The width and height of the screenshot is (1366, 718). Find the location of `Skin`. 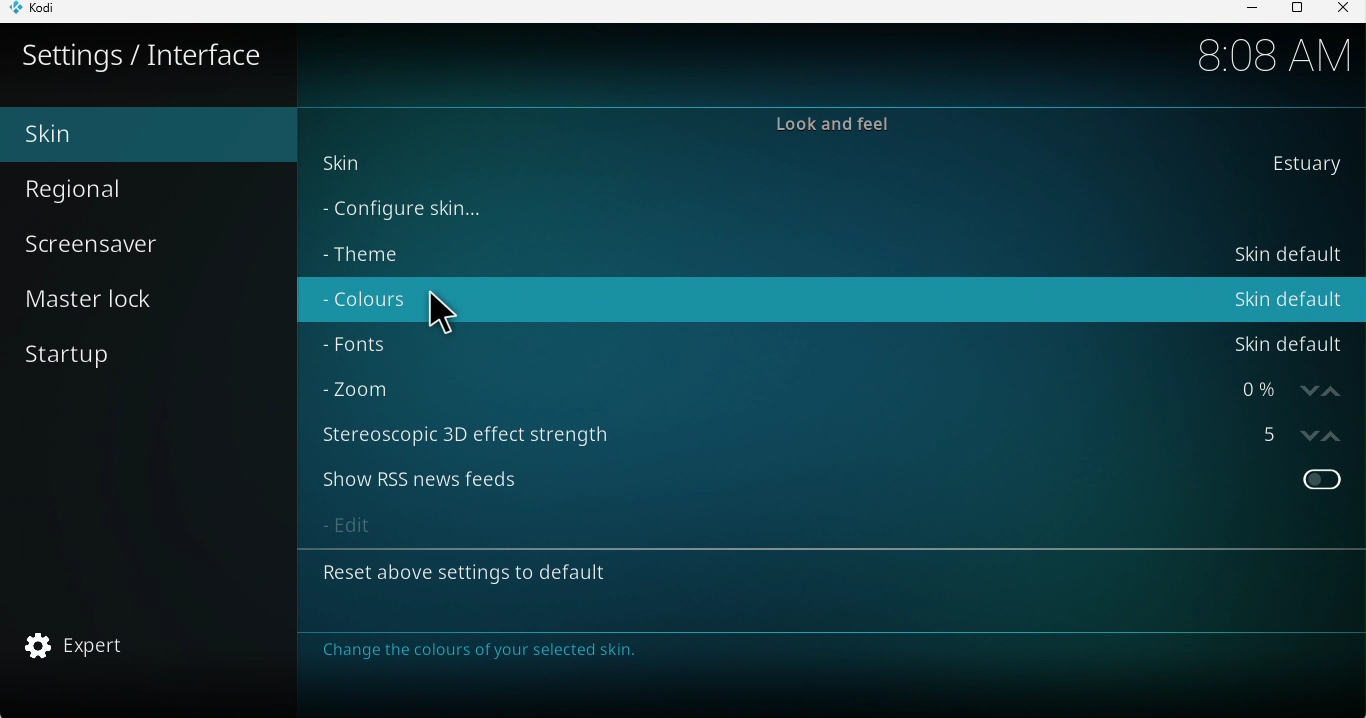

Skin is located at coordinates (138, 134).